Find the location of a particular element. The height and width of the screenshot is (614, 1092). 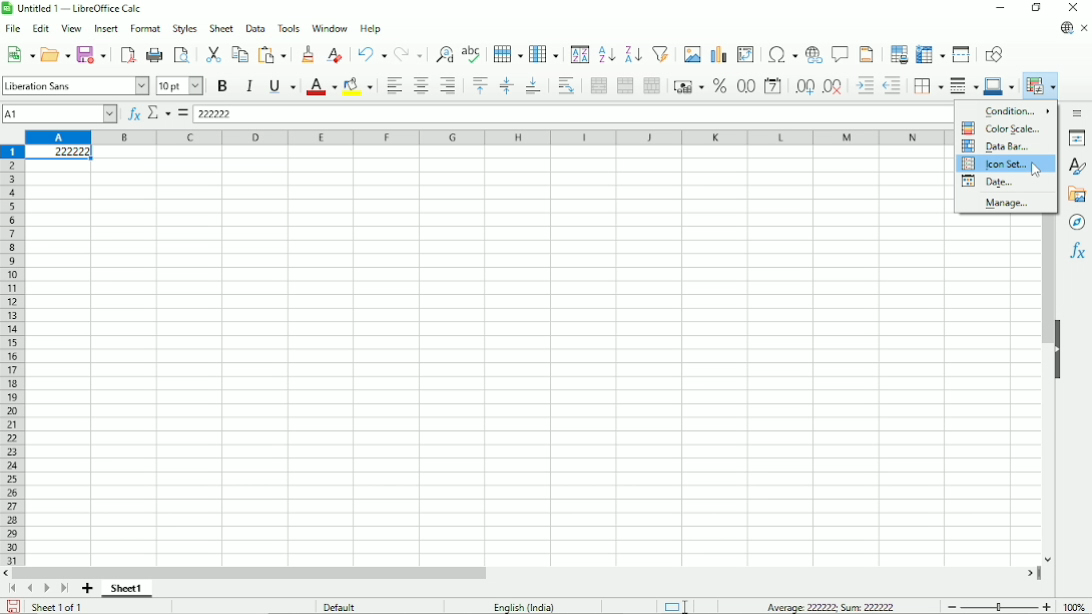

Underline is located at coordinates (282, 86).